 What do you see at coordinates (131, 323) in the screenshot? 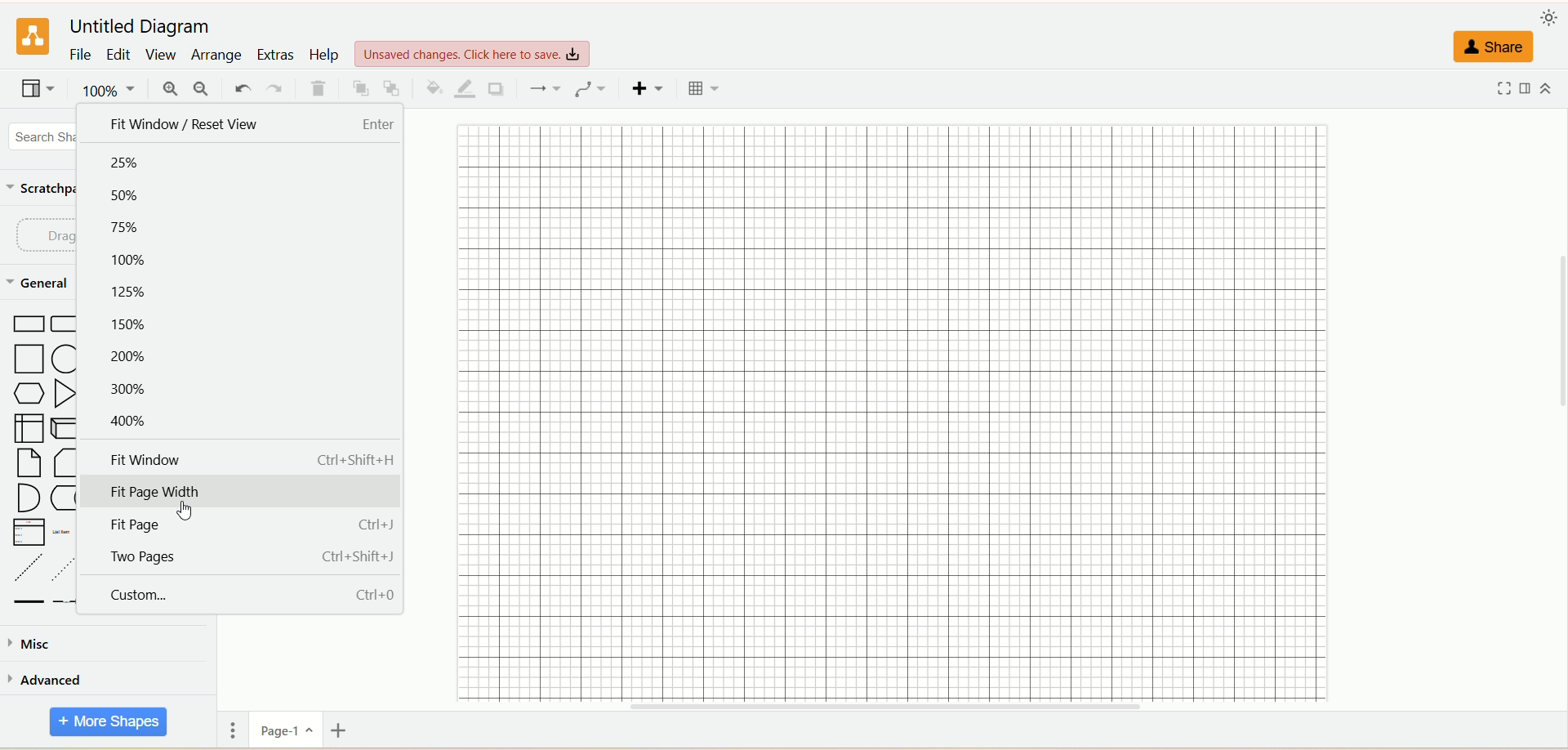
I see `150%` at bounding box center [131, 323].